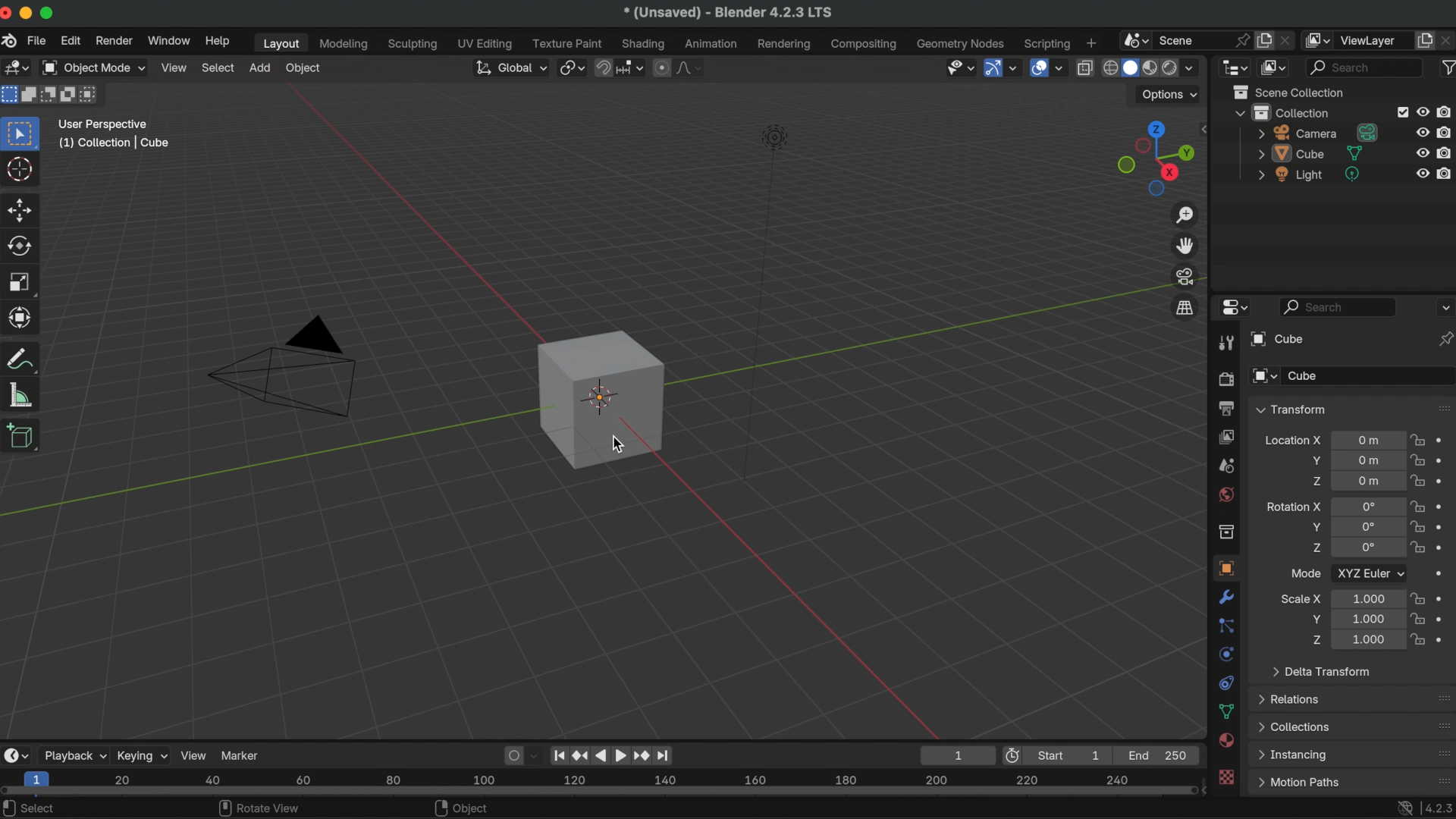 This screenshot has height=819, width=1456. Describe the element at coordinates (1444, 306) in the screenshot. I see `options` at that location.